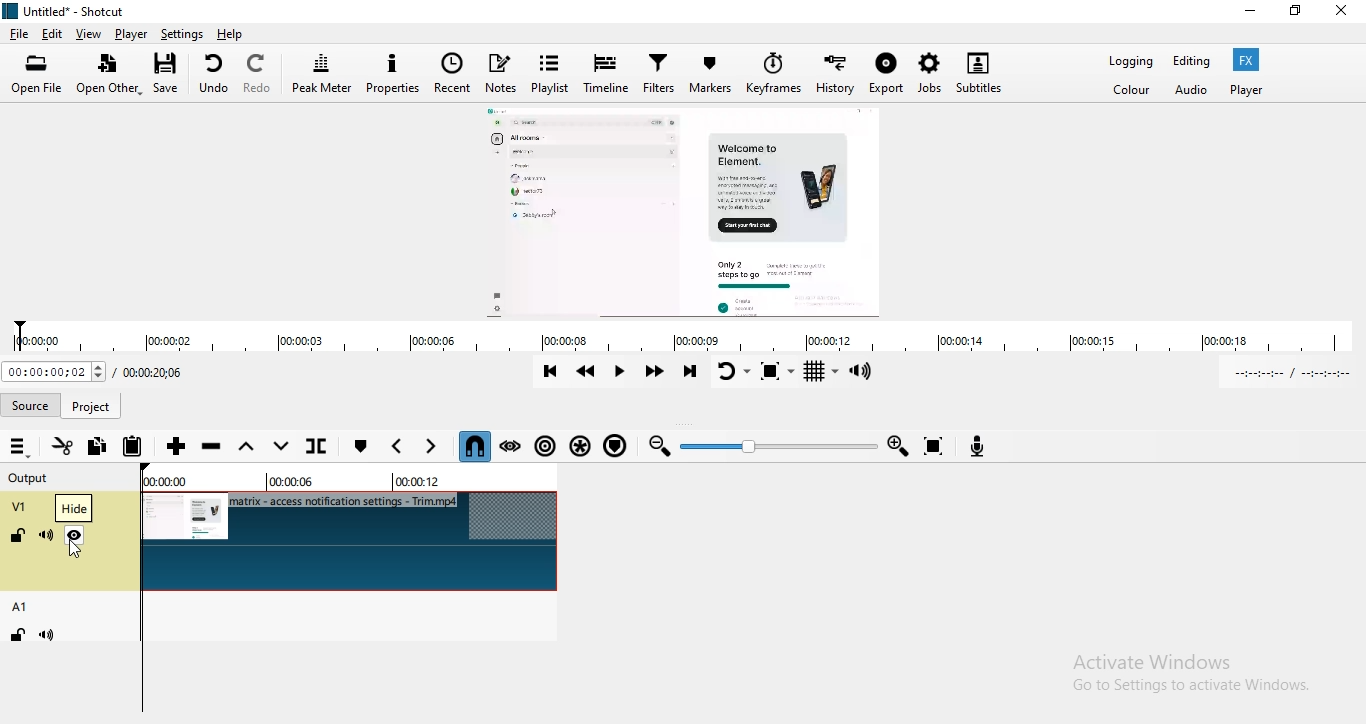 The width and height of the screenshot is (1366, 724). Describe the element at coordinates (511, 446) in the screenshot. I see `Scrub while dragging` at that location.